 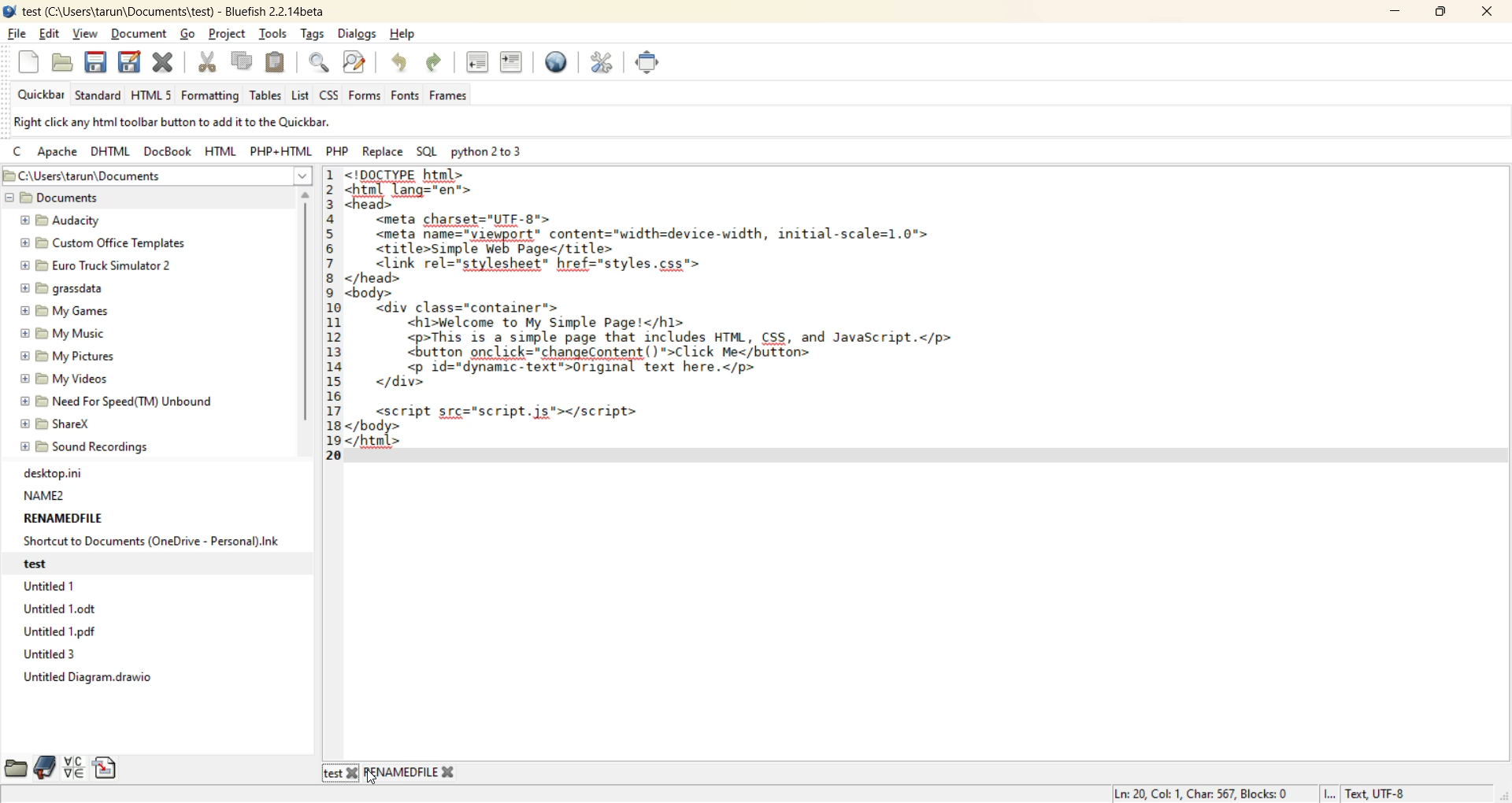 What do you see at coordinates (143, 33) in the screenshot?
I see `document` at bounding box center [143, 33].